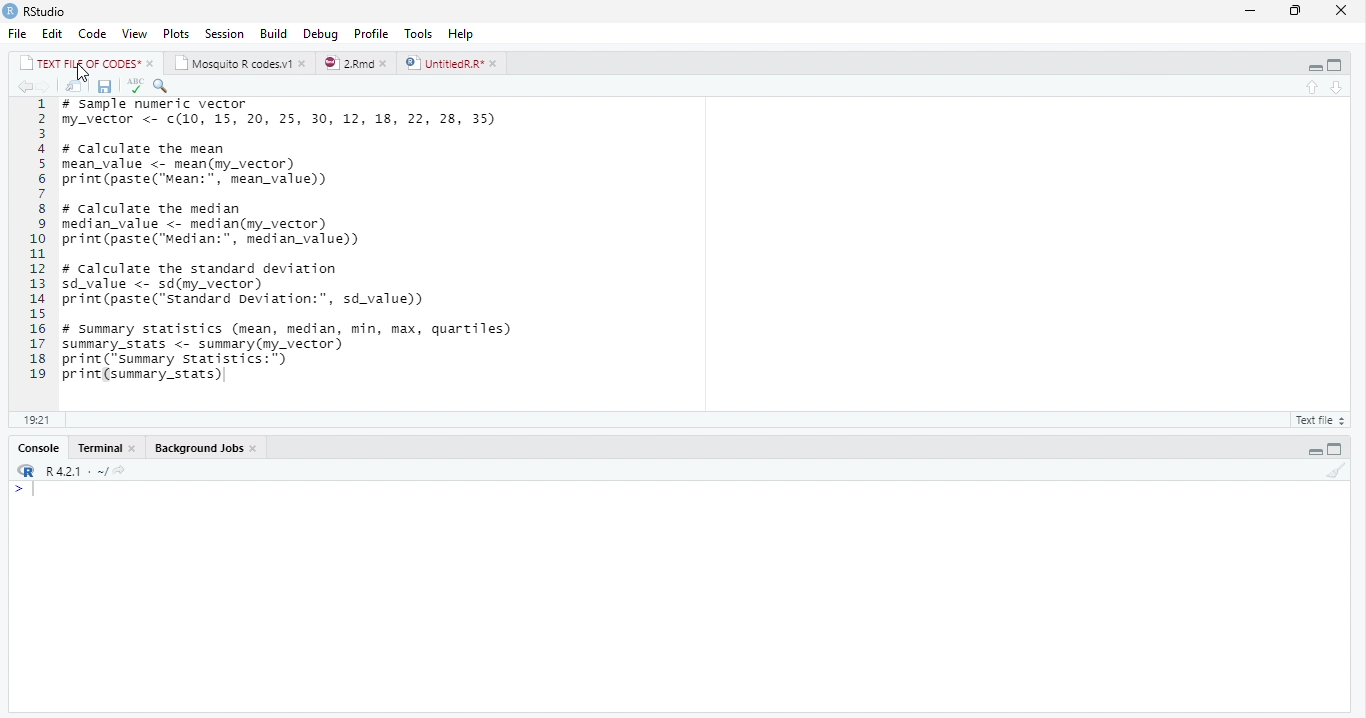  What do you see at coordinates (93, 33) in the screenshot?
I see `code` at bounding box center [93, 33].